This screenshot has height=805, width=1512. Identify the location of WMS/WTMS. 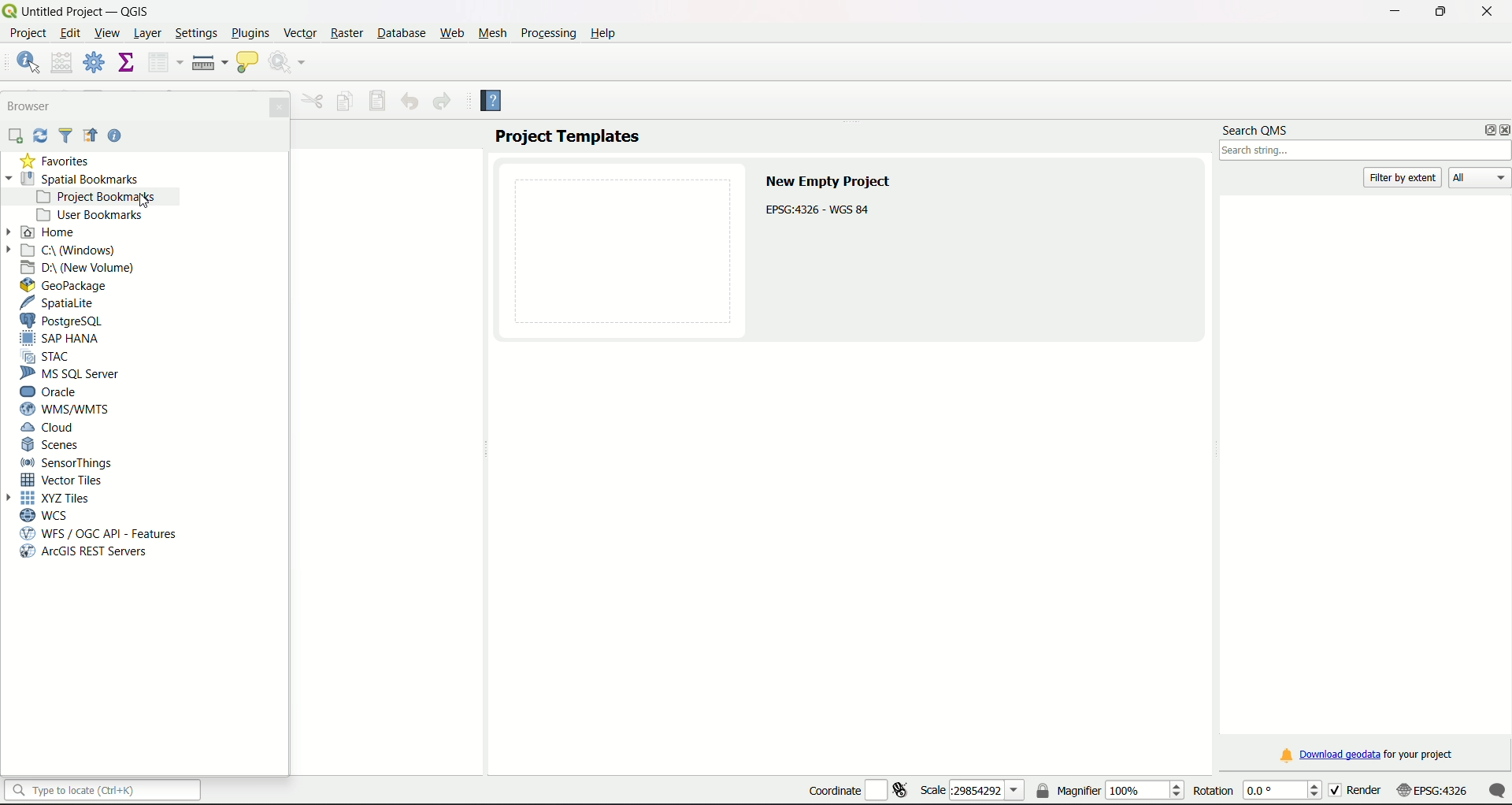
(70, 410).